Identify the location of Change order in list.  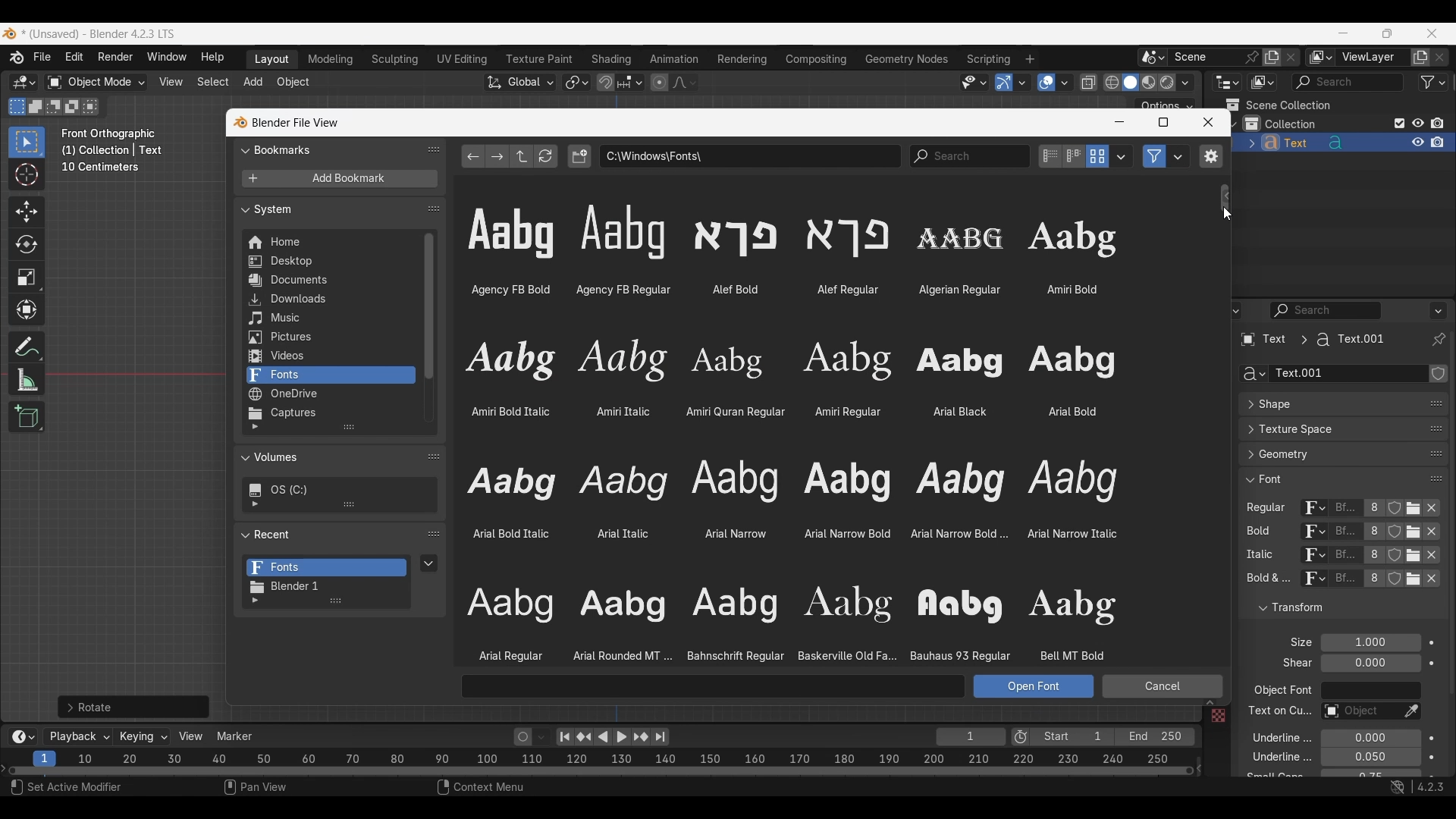
(434, 149).